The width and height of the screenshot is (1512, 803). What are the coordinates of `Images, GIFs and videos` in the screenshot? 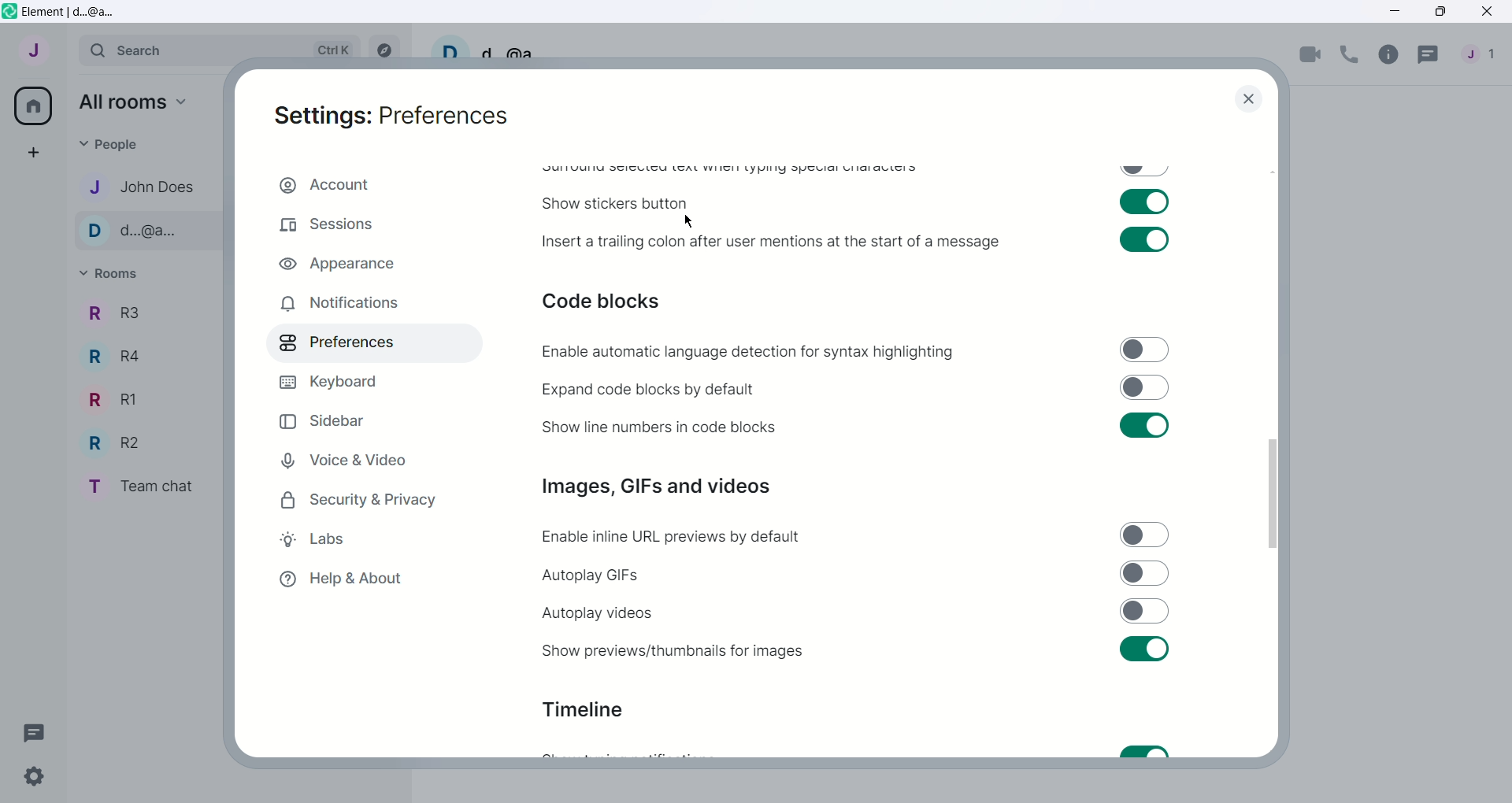 It's located at (655, 487).